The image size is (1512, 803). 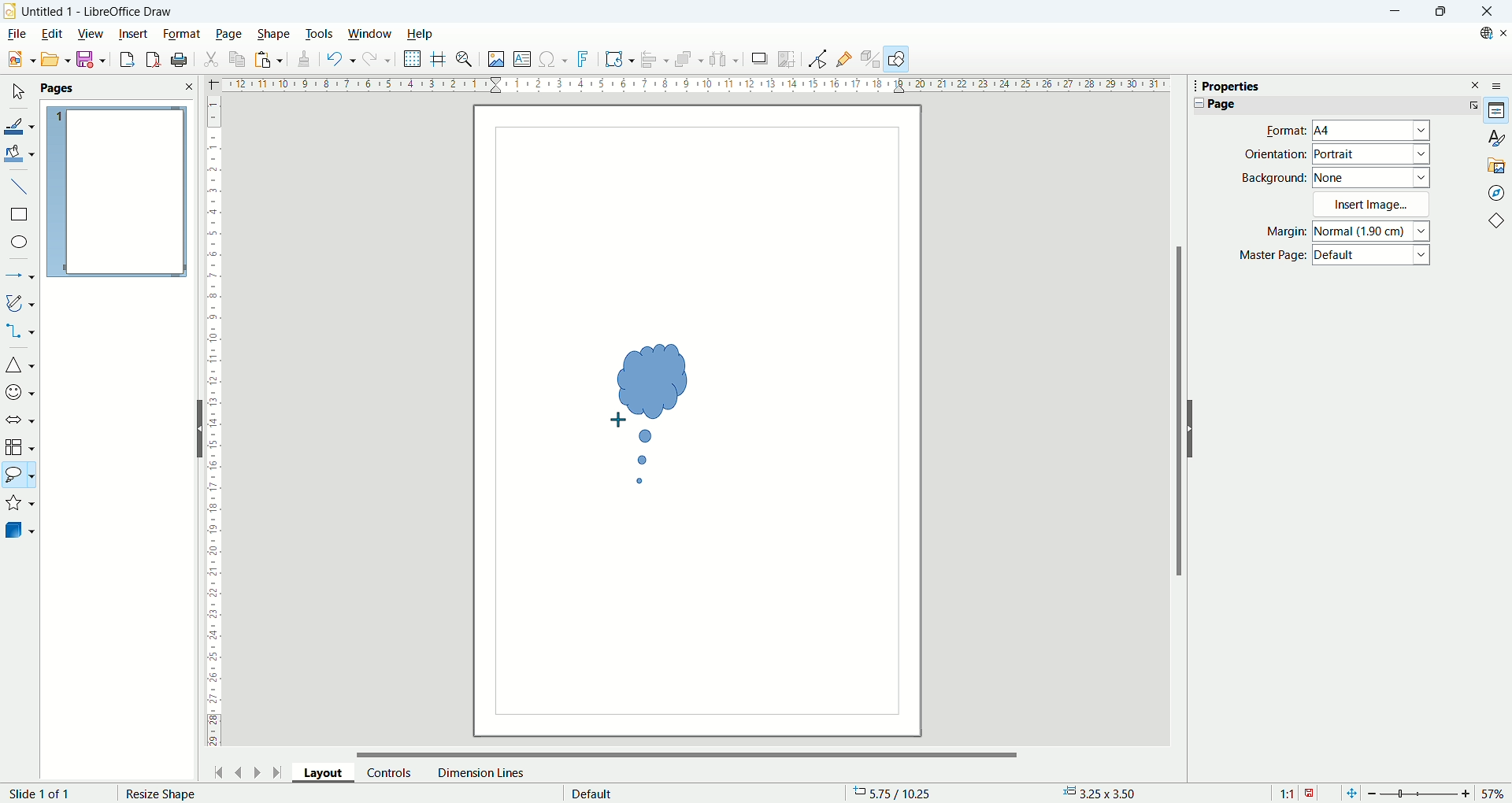 I want to click on go to last page, so click(x=278, y=772).